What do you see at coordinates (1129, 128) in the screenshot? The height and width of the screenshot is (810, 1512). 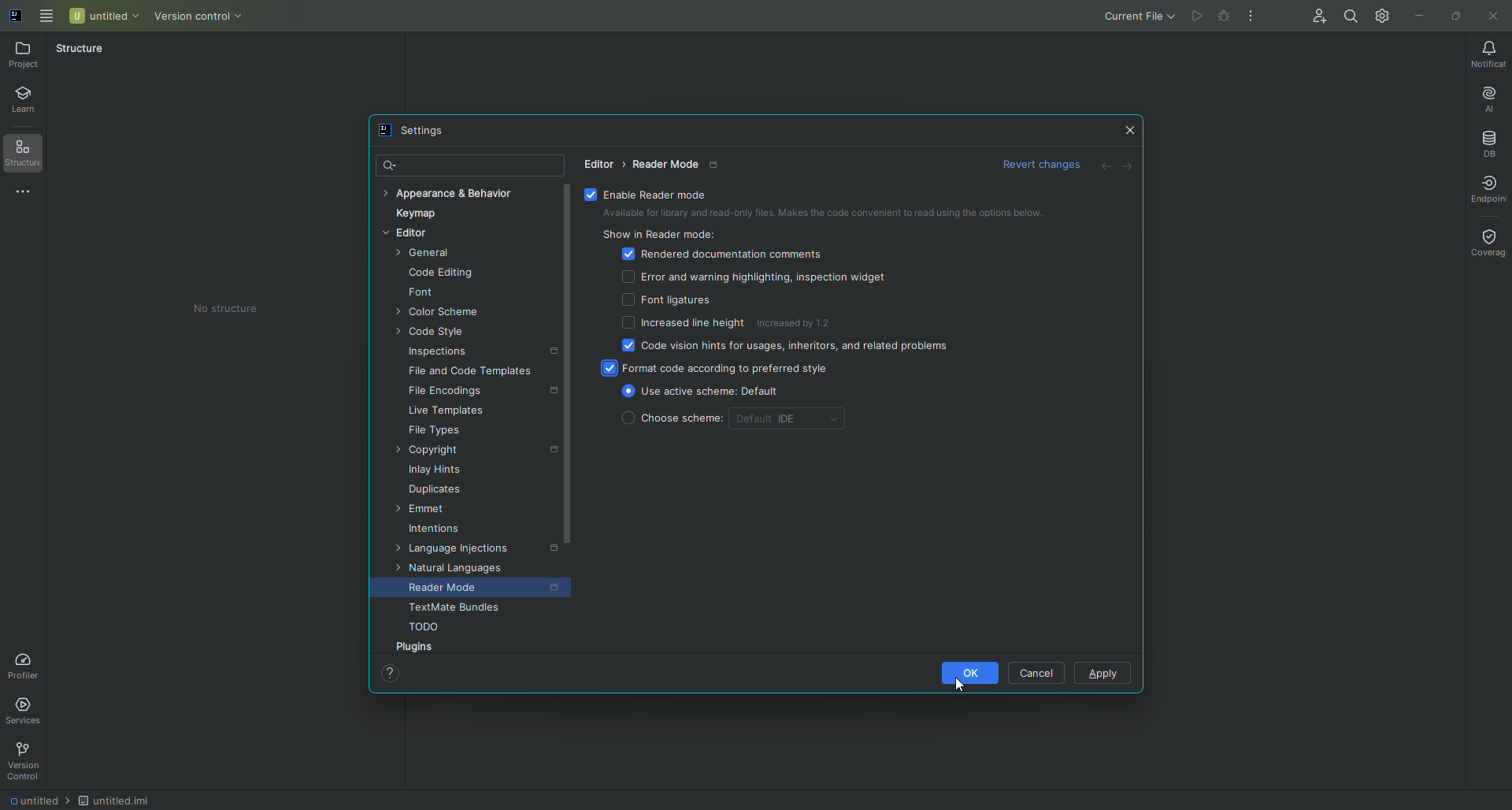 I see `Close` at bounding box center [1129, 128].